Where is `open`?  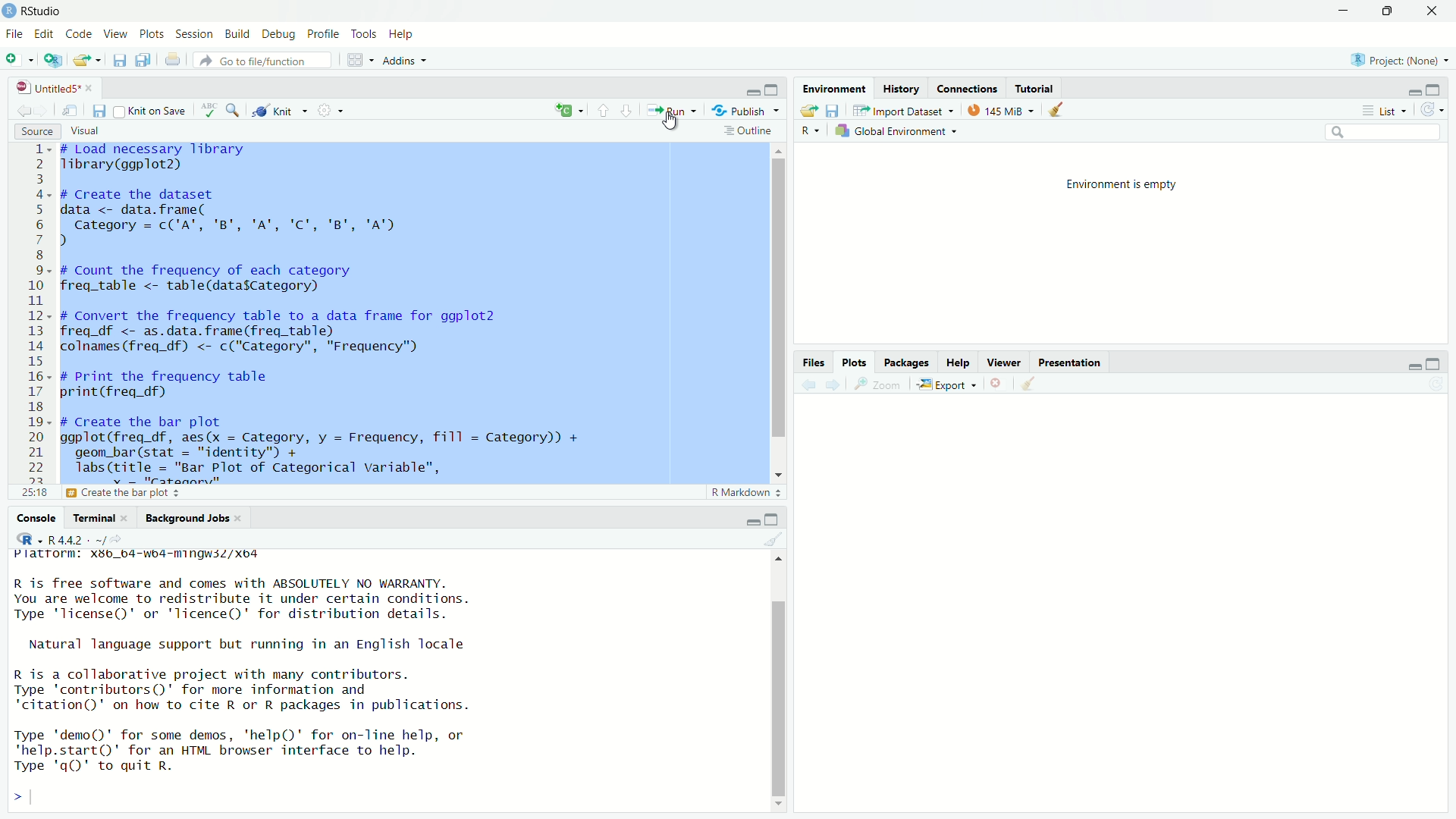
open is located at coordinates (811, 111).